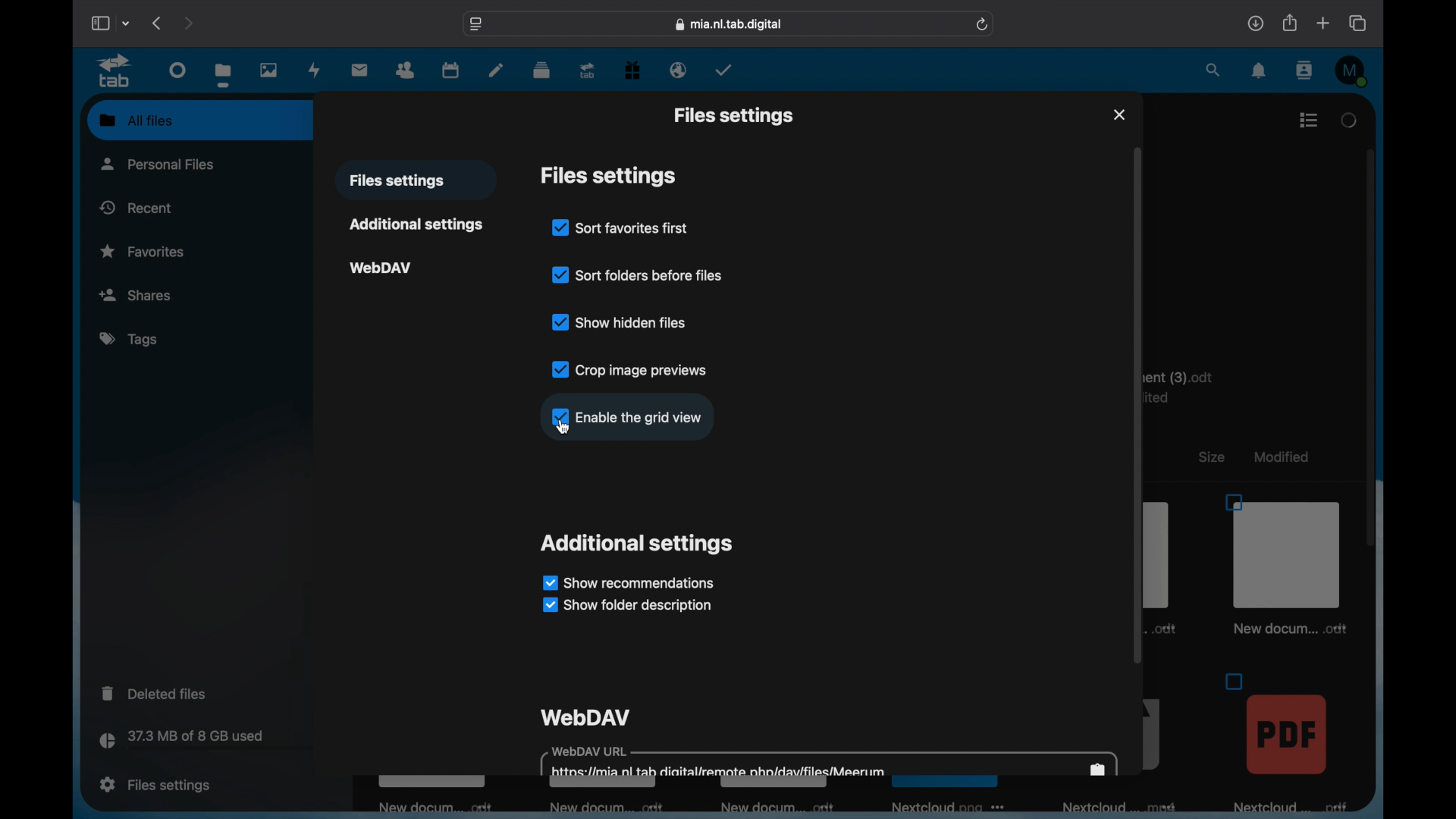  Describe the element at coordinates (1323, 23) in the screenshot. I see `new tab` at that location.